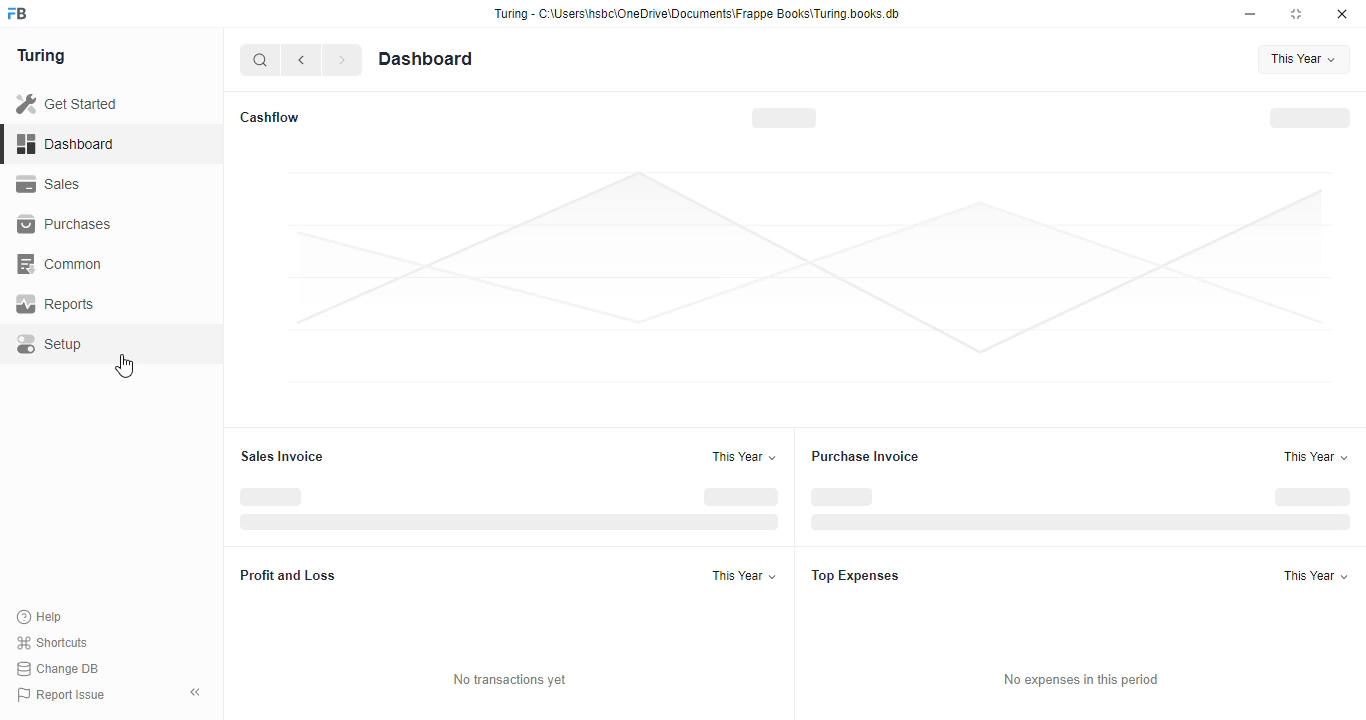 The width and height of the screenshot is (1366, 720). What do you see at coordinates (62, 264) in the screenshot?
I see `common` at bounding box center [62, 264].